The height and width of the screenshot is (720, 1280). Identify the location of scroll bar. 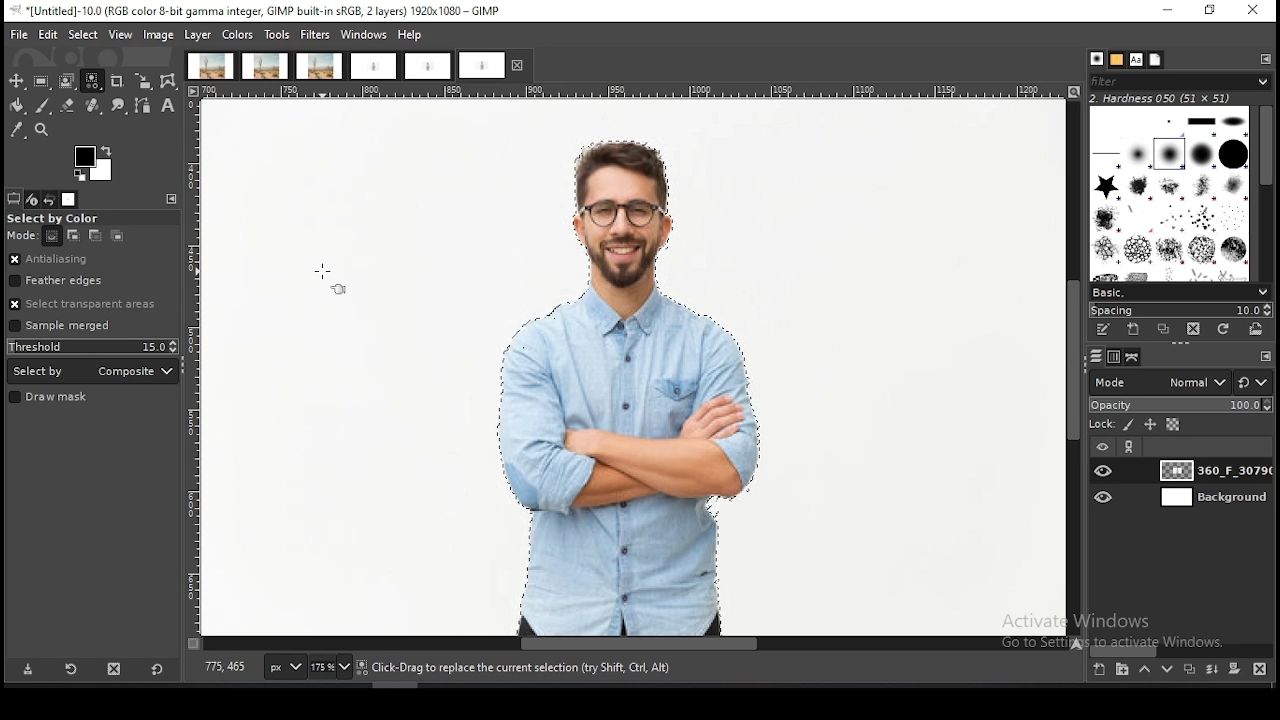
(1182, 650).